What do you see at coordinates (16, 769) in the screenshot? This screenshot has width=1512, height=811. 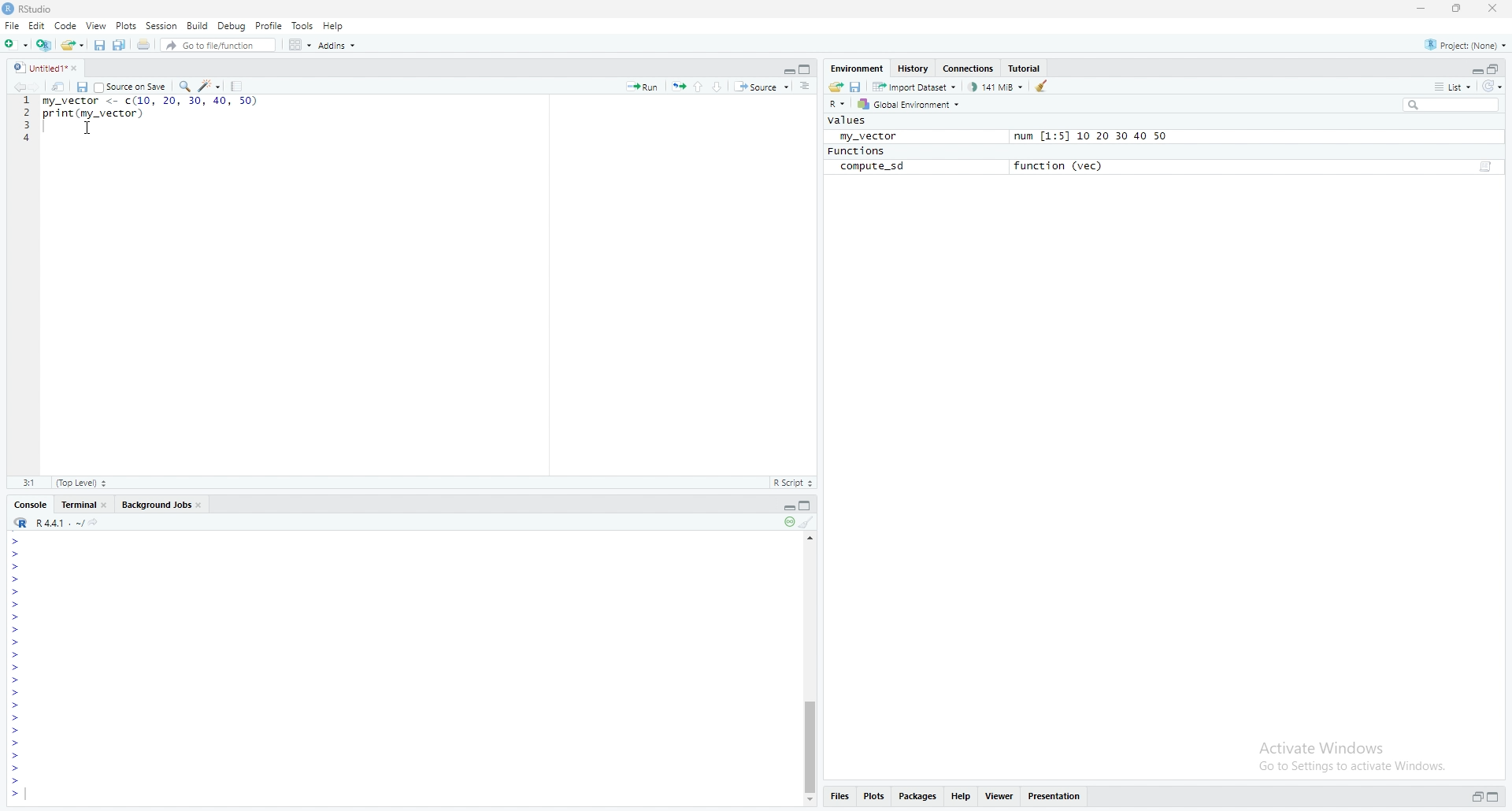 I see `Prompt cursor` at bounding box center [16, 769].